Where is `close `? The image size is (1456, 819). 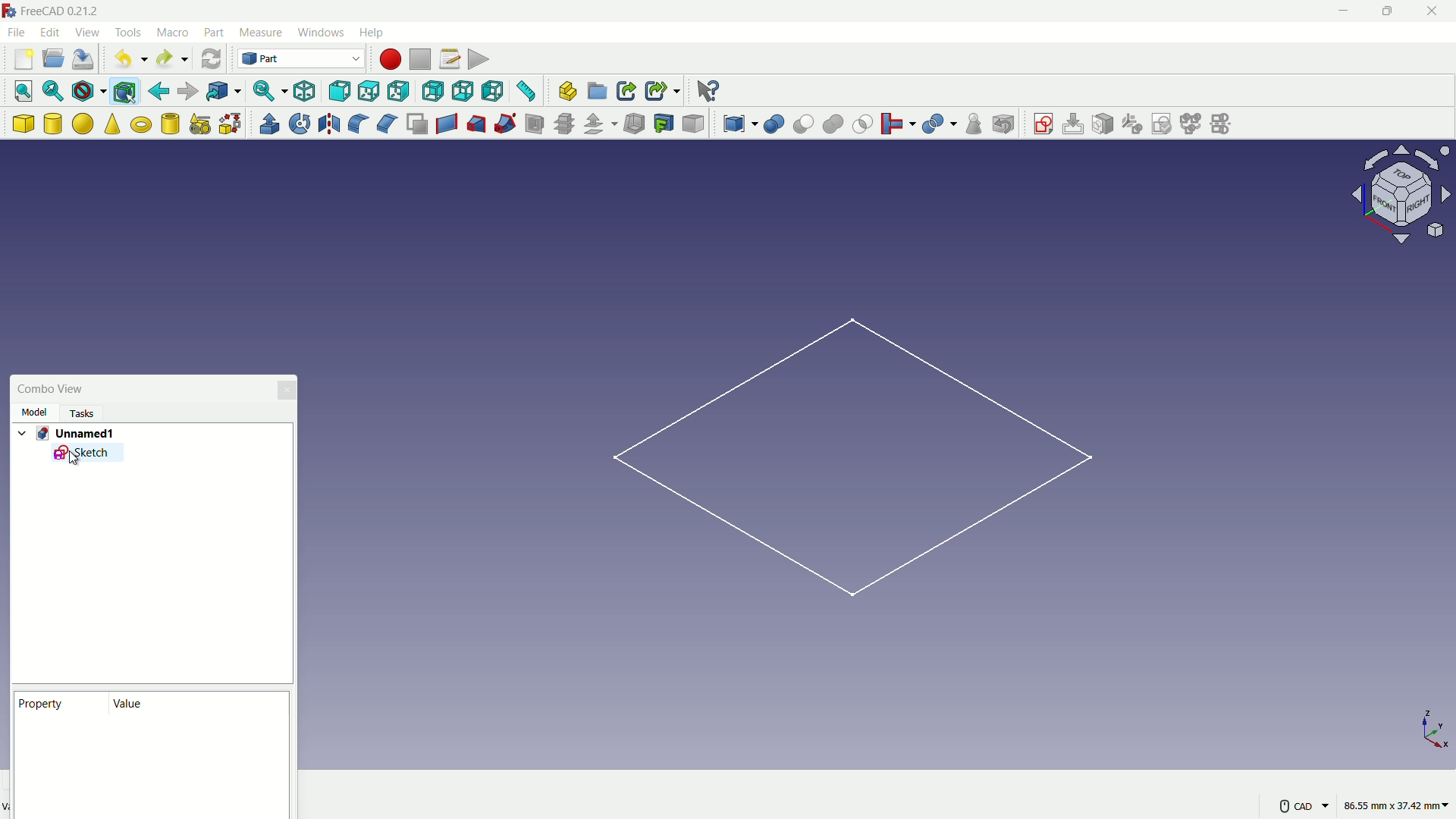
close  is located at coordinates (1434, 13).